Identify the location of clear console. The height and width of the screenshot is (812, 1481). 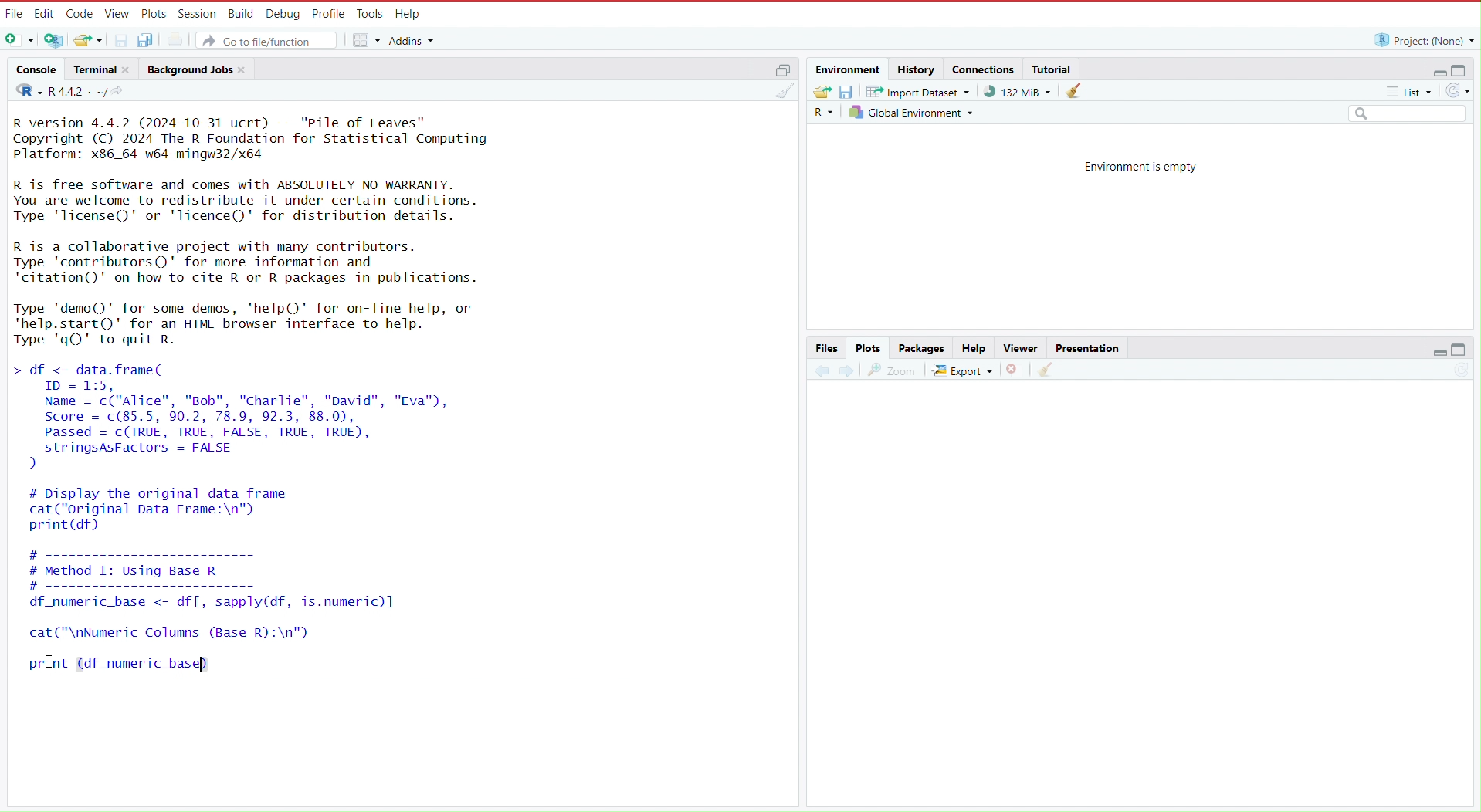
(781, 90).